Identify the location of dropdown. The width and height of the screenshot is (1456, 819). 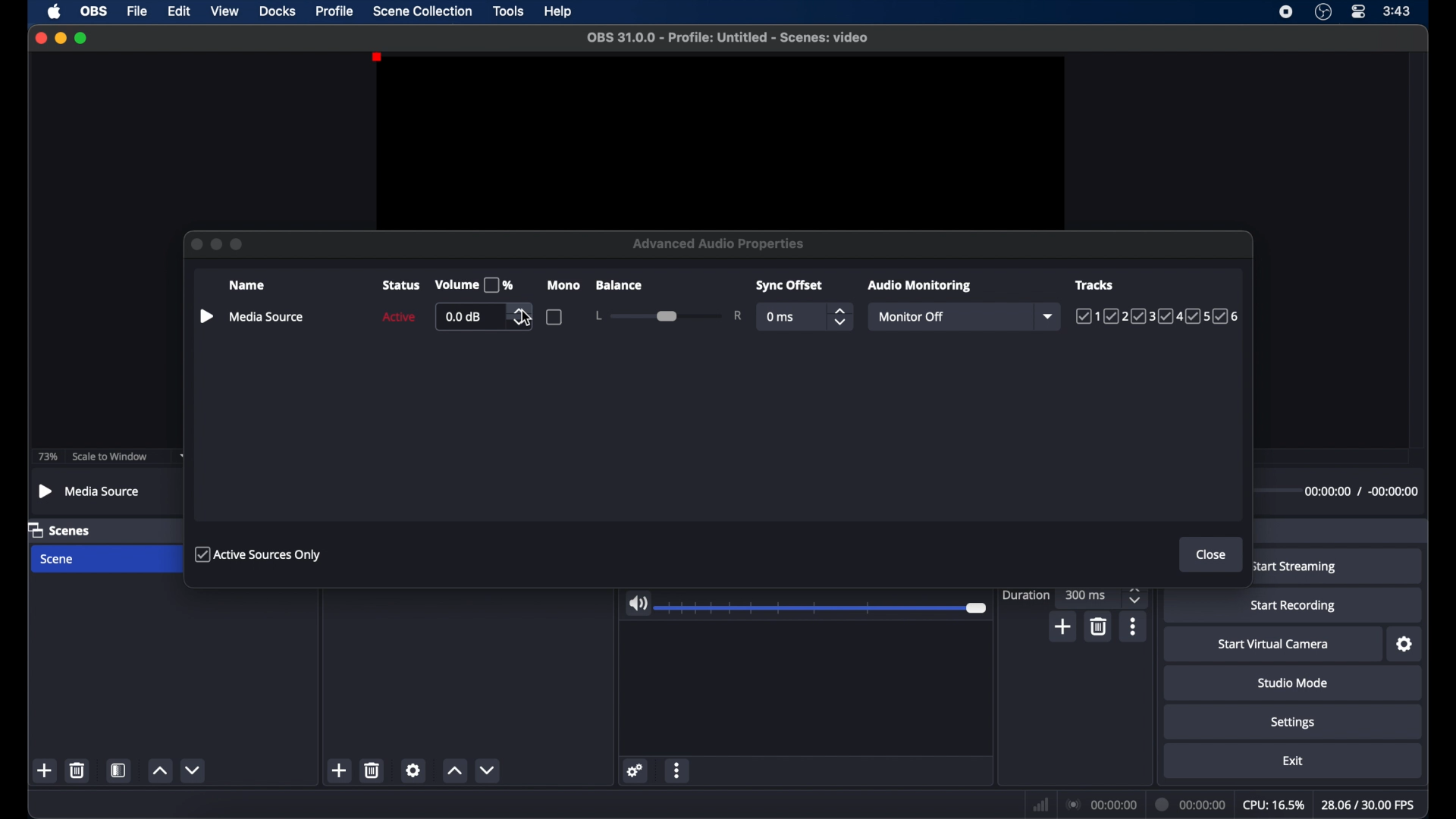
(1050, 317).